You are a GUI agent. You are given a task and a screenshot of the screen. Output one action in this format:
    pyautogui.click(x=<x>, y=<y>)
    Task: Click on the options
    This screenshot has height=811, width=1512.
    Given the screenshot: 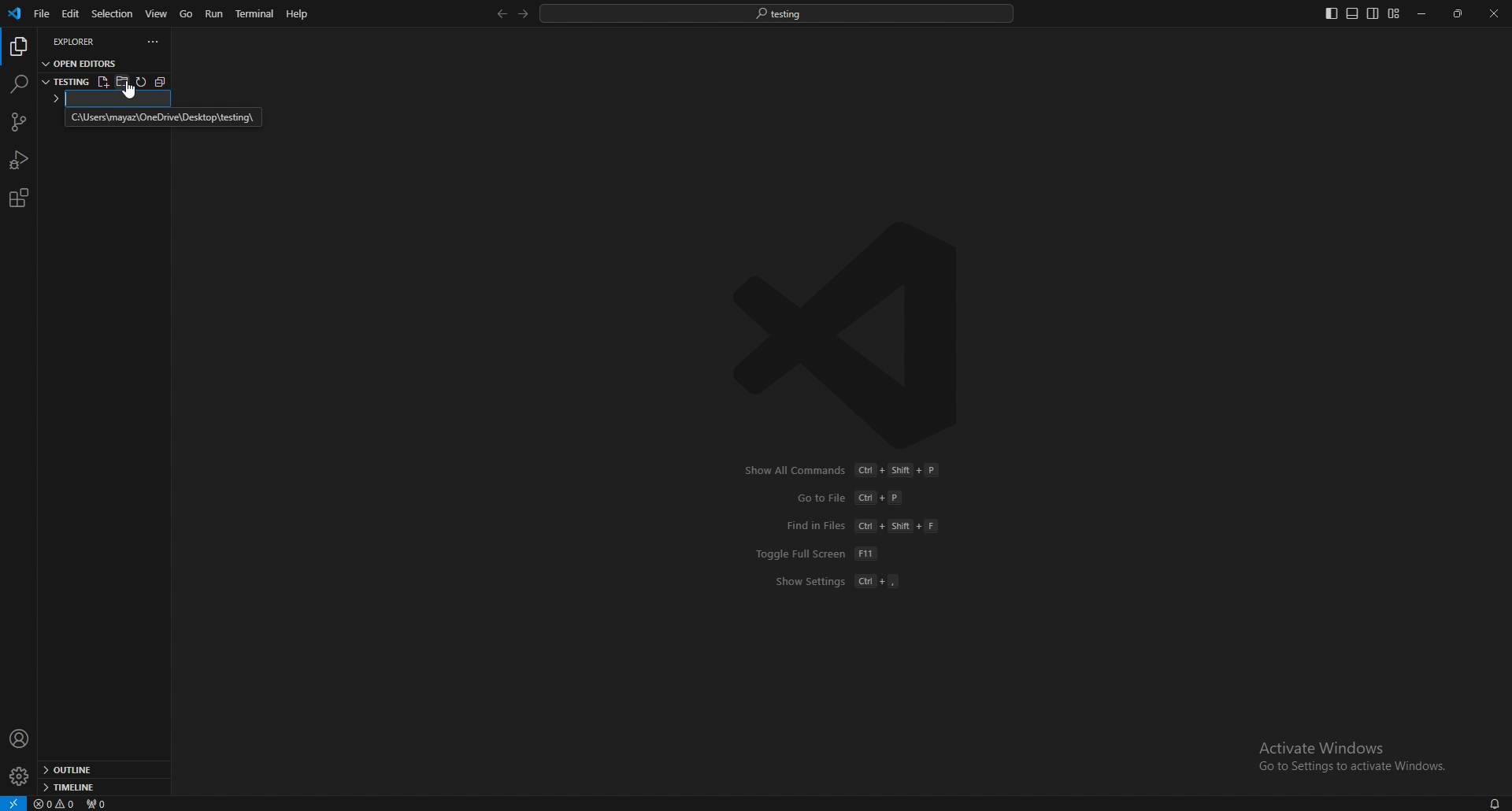 What is the action you would take?
    pyautogui.click(x=154, y=42)
    